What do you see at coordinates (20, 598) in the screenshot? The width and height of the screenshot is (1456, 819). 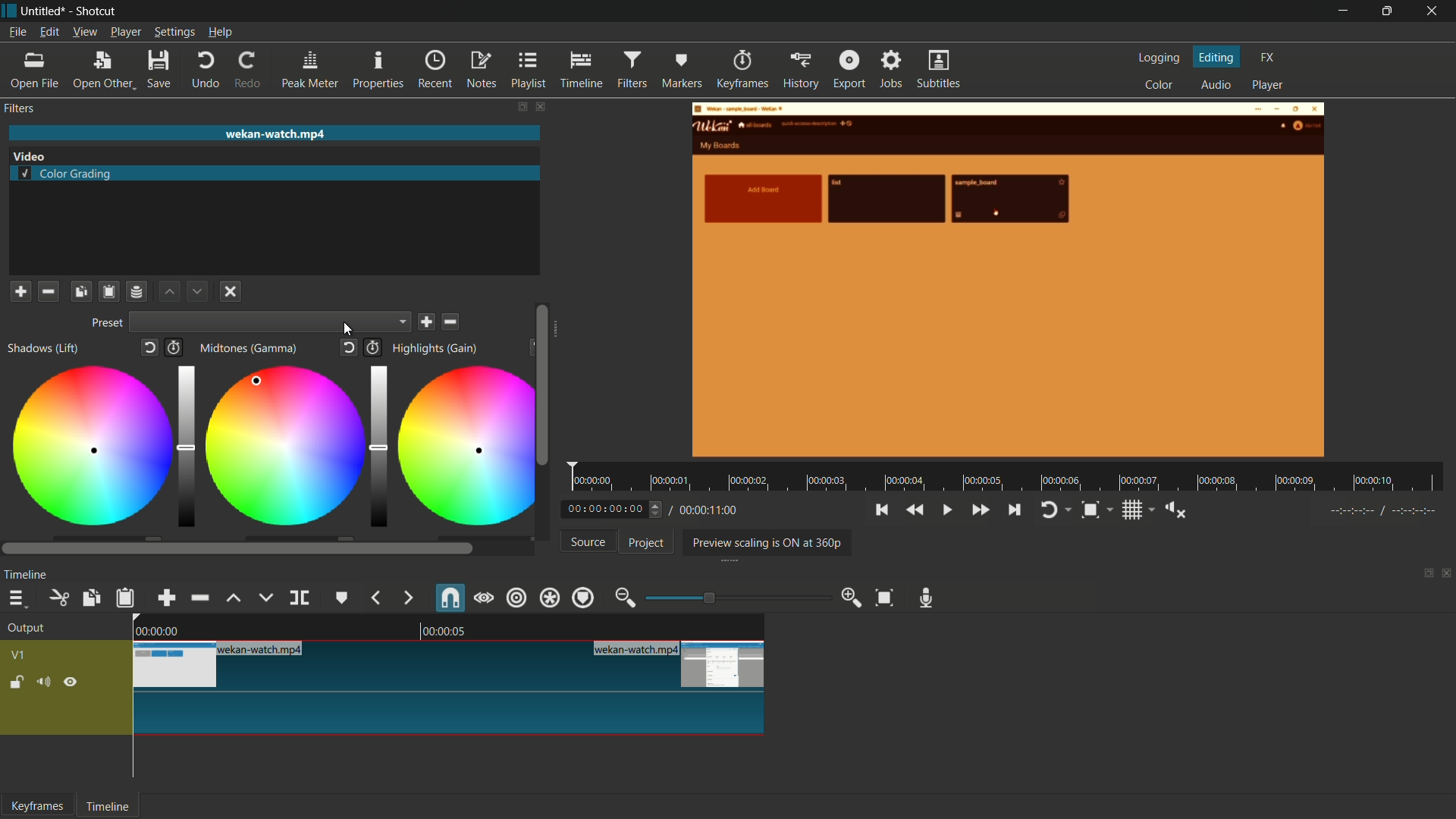 I see `timeline menu` at bounding box center [20, 598].